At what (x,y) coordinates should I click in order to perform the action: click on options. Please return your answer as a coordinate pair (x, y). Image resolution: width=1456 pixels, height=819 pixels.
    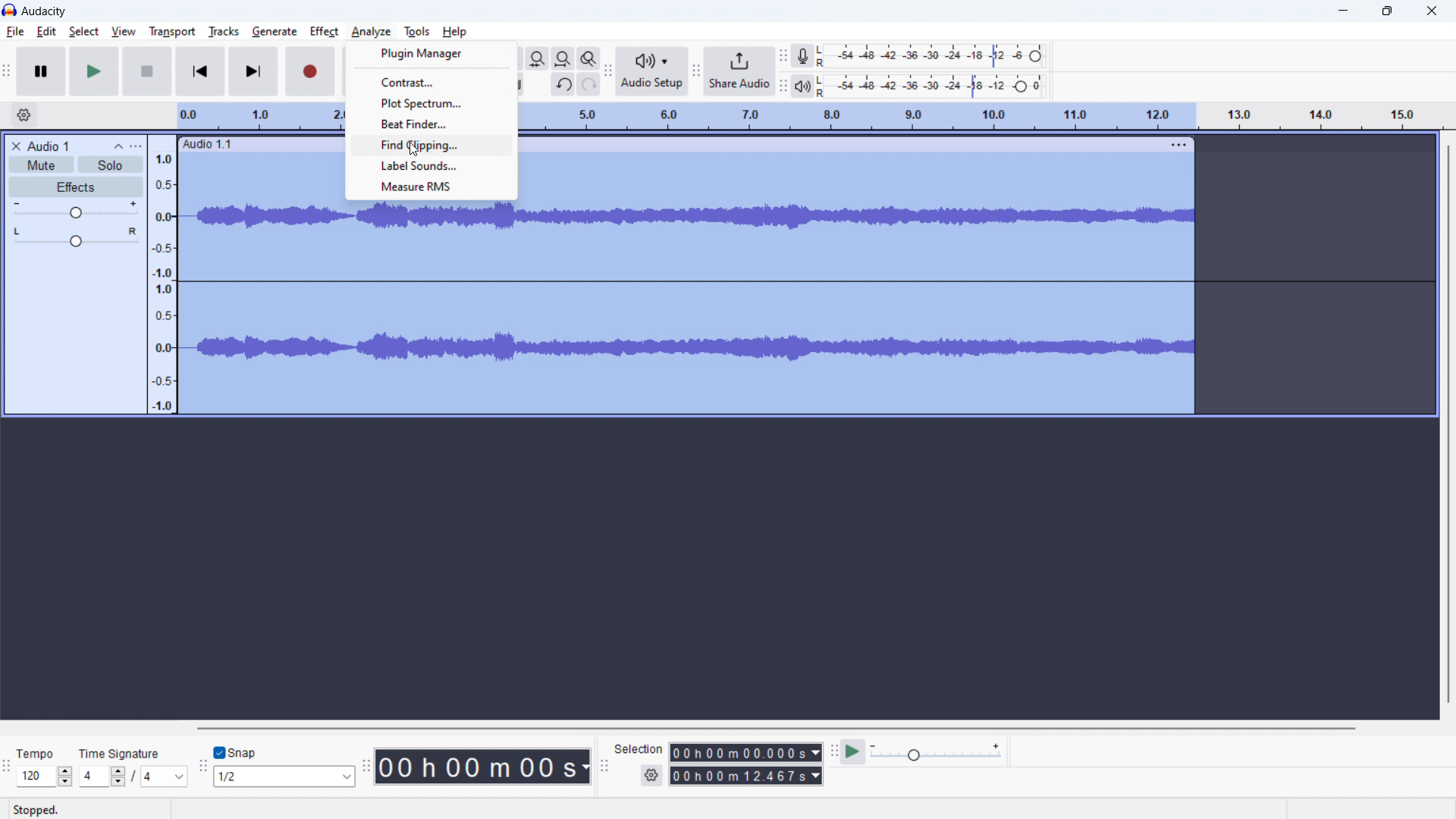
    Looking at the image, I should click on (136, 146).